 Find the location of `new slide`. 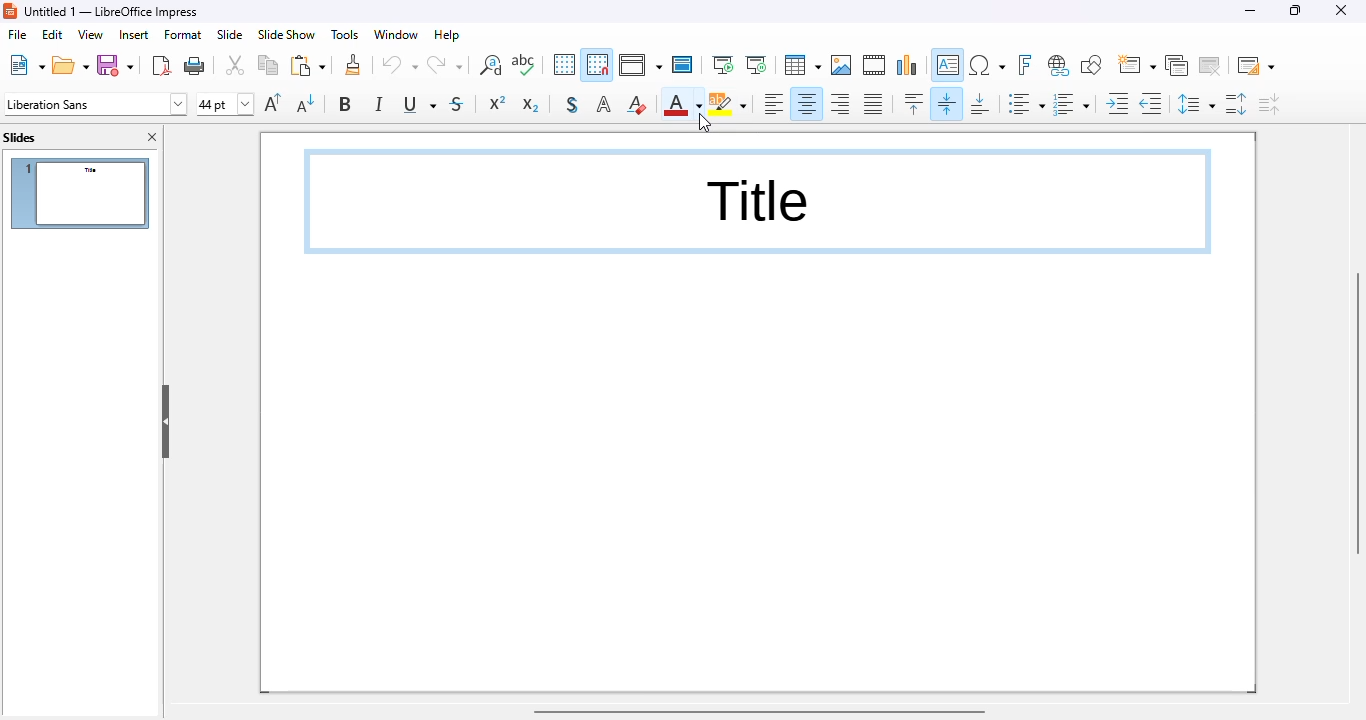

new slide is located at coordinates (1137, 65).